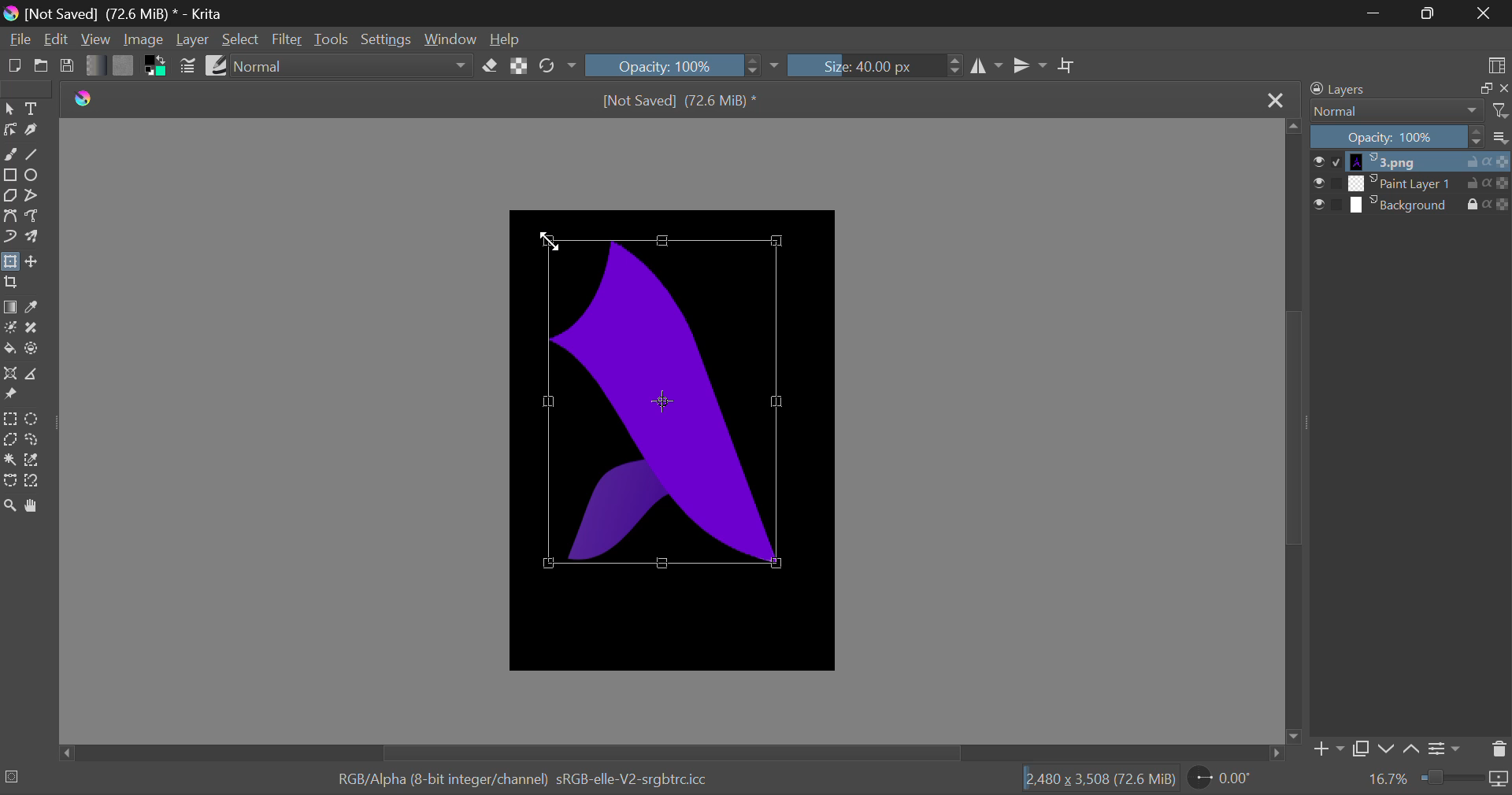 The height and width of the screenshot is (795, 1512). What do you see at coordinates (674, 67) in the screenshot?
I see `Opacity` at bounding box center [674, 67].